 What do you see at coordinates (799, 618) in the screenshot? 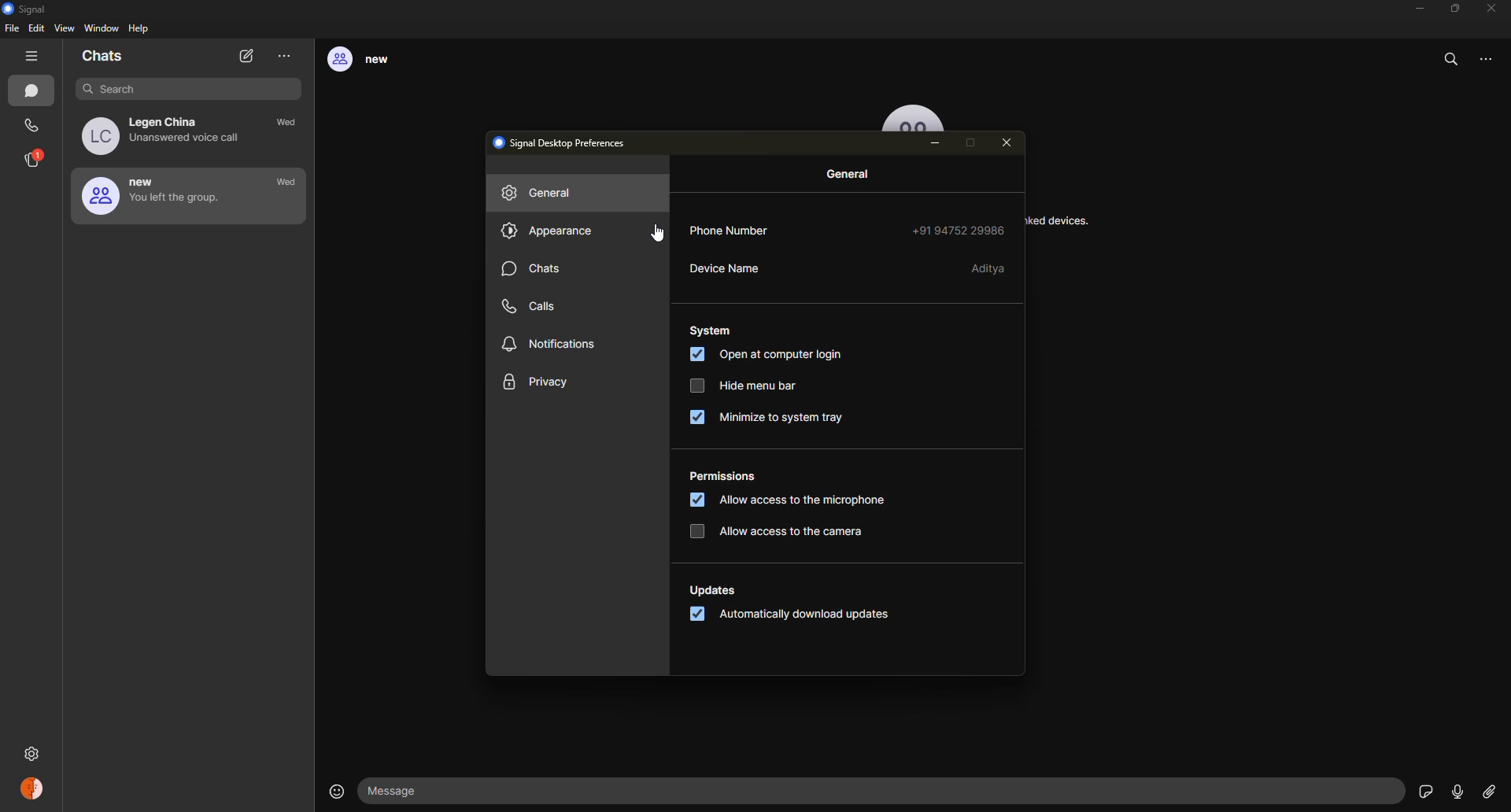
I see `automatically download updates` at bounding box center [799, 618].